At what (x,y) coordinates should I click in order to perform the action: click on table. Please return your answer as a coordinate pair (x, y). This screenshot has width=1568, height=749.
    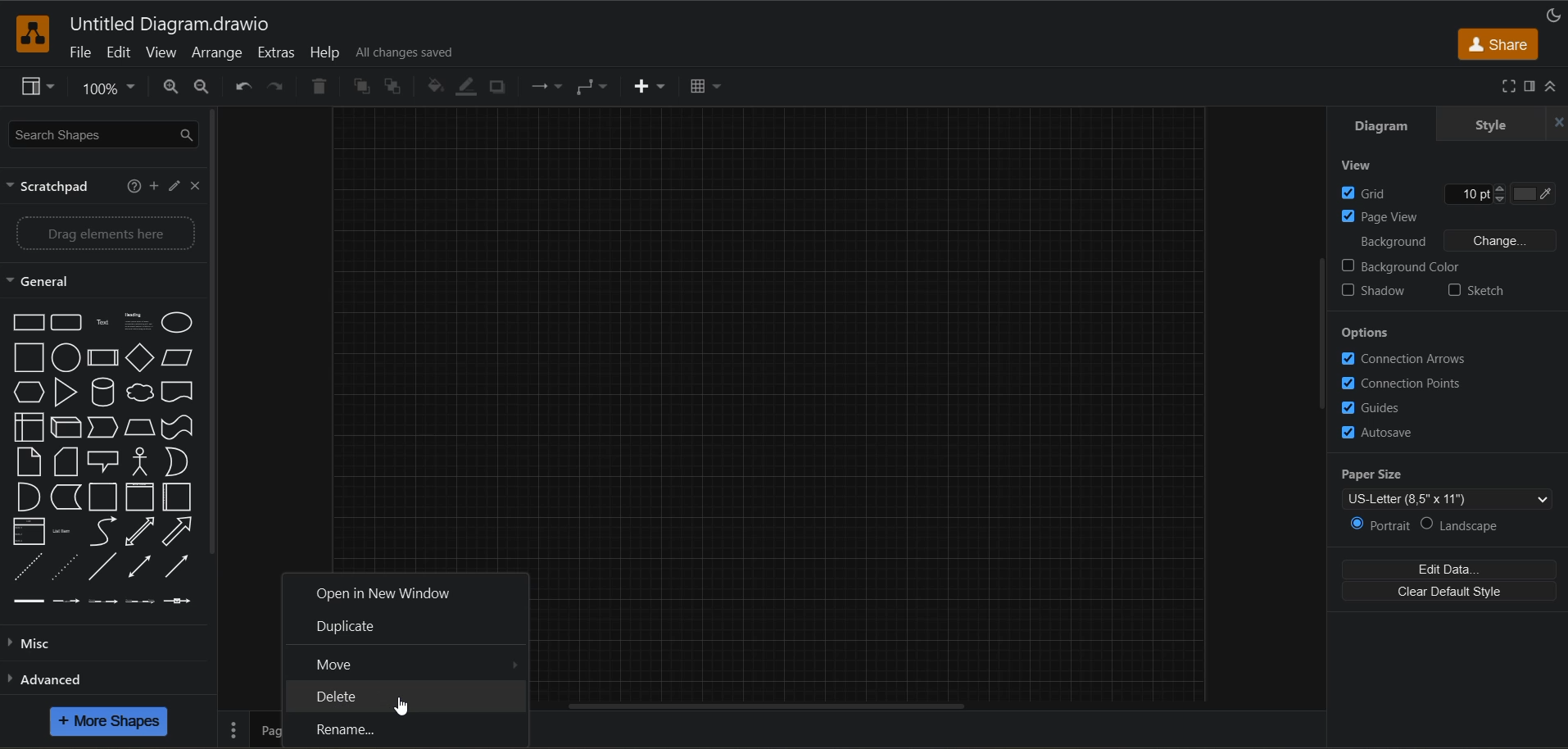
    Looking at the image, I should click on (704, 89).